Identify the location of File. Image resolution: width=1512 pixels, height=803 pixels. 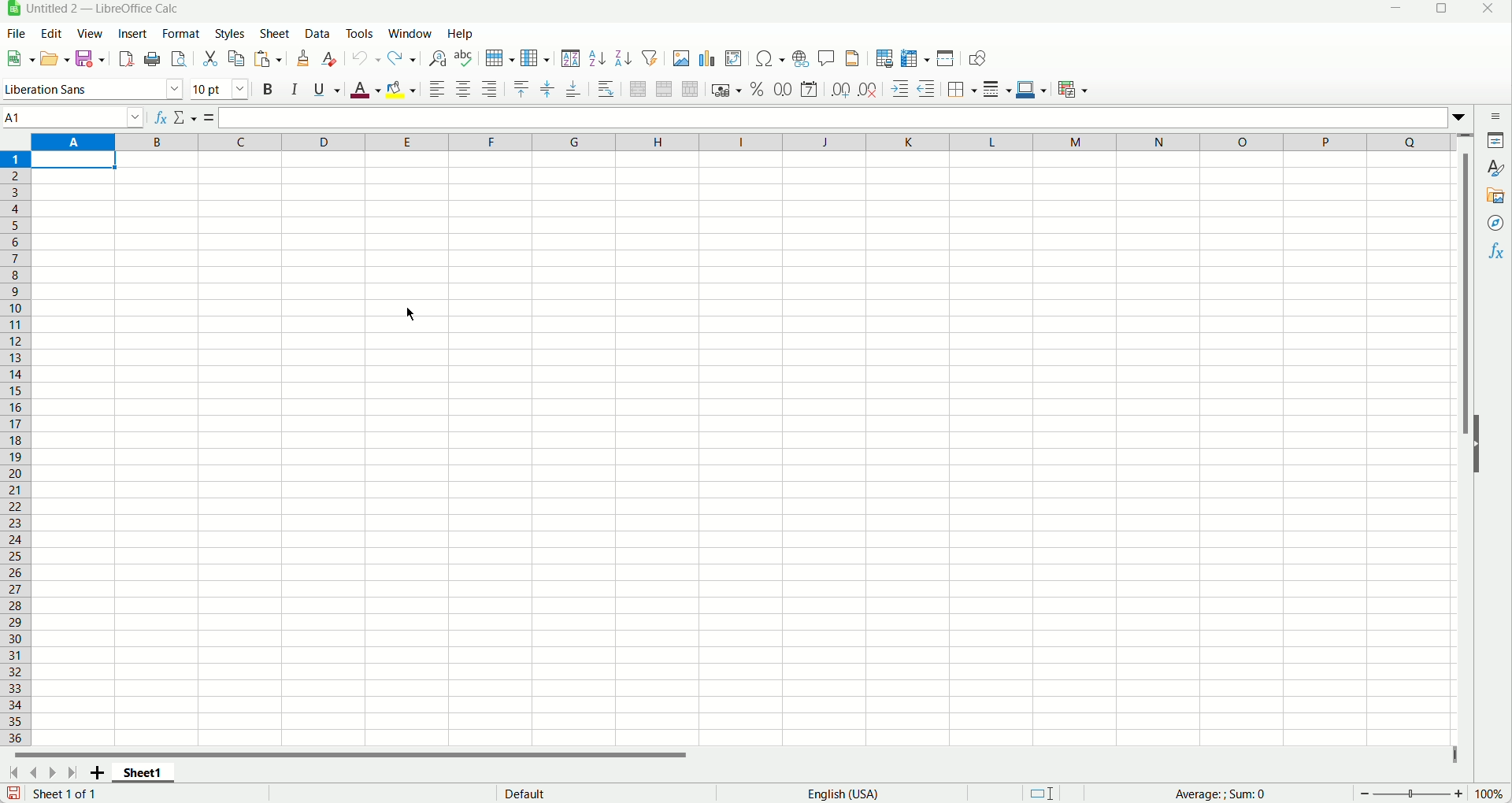
(17, 32).